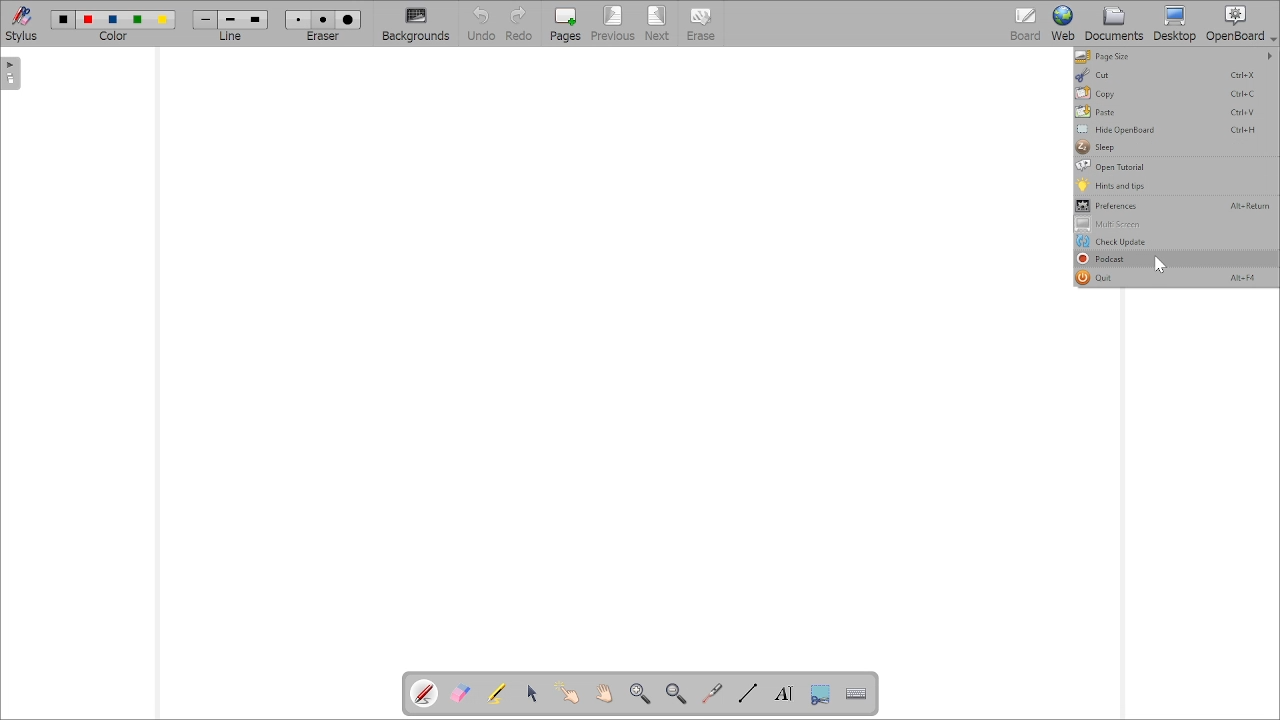 Image resolution: width=1280 pixels, height=720 pixels. I want to click on eraser3, so click(348, 20).